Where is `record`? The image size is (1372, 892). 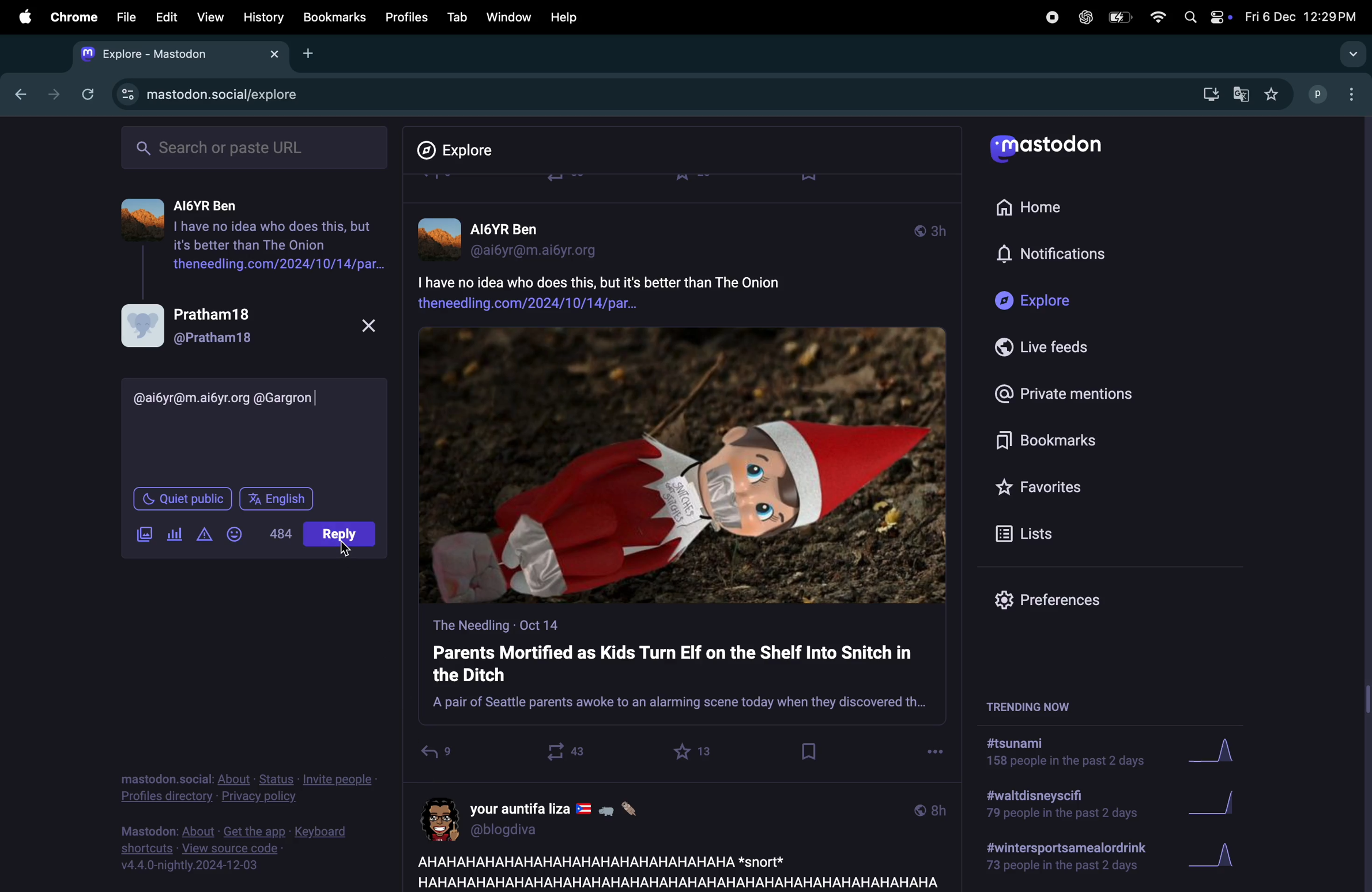
record is located at coordinates (1051, 16).